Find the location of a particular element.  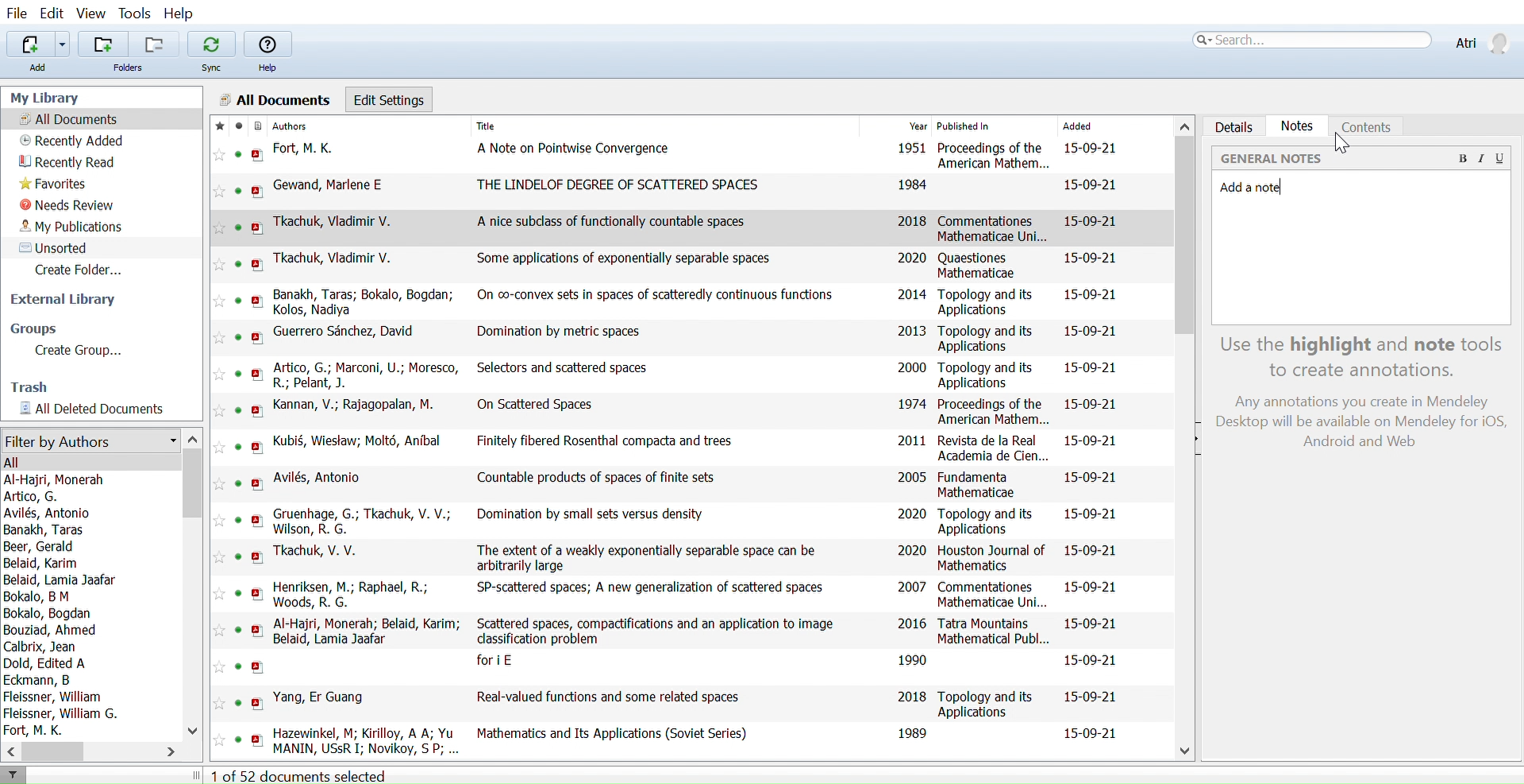

Henriksen, M.; Raphael, R.; Woods, R. G. is located at coordinates (365, 595).